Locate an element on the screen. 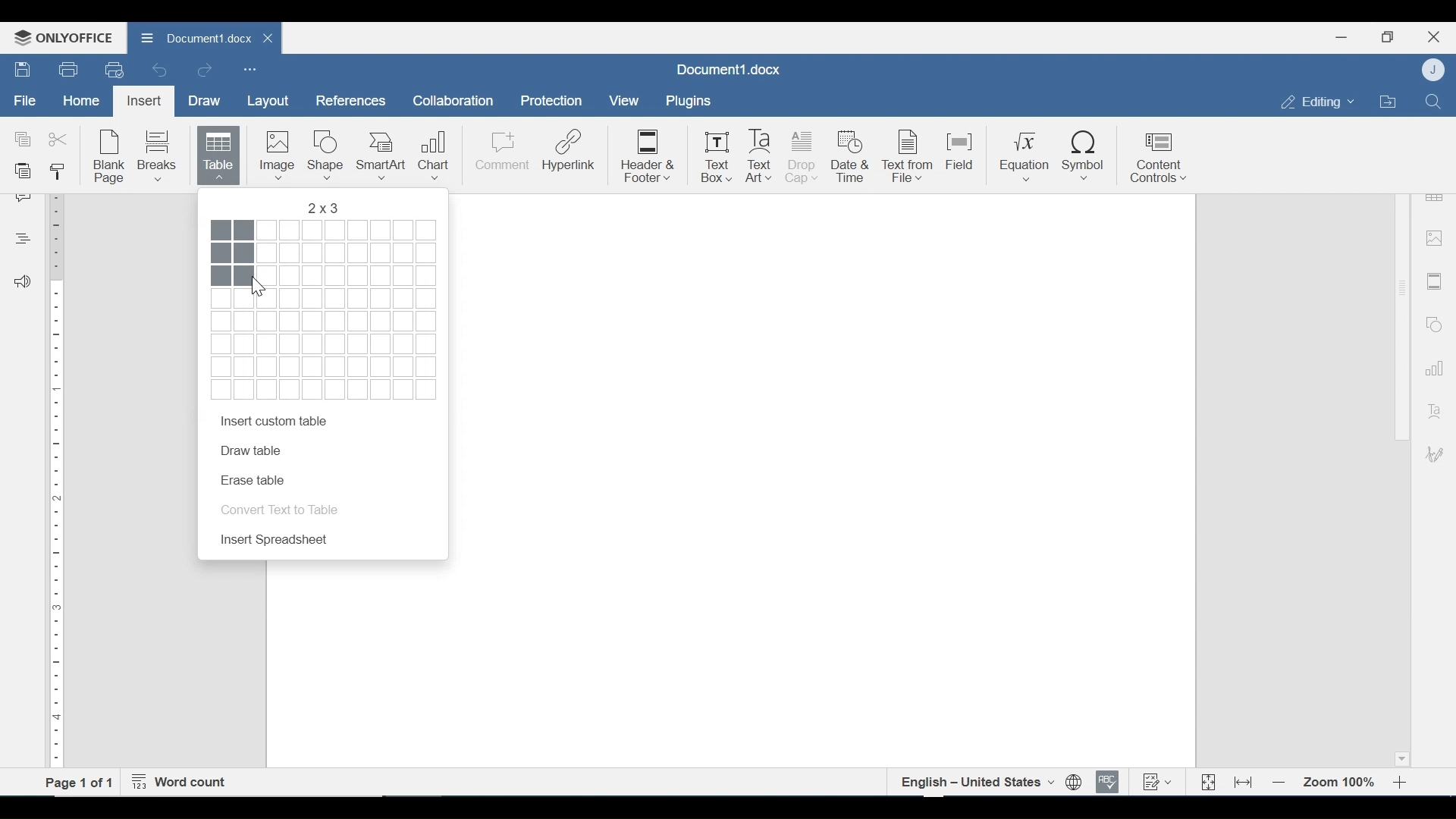 The height and width of the screenshot is (819, 1456). Spell checking is located at coordinates (1108, 782).